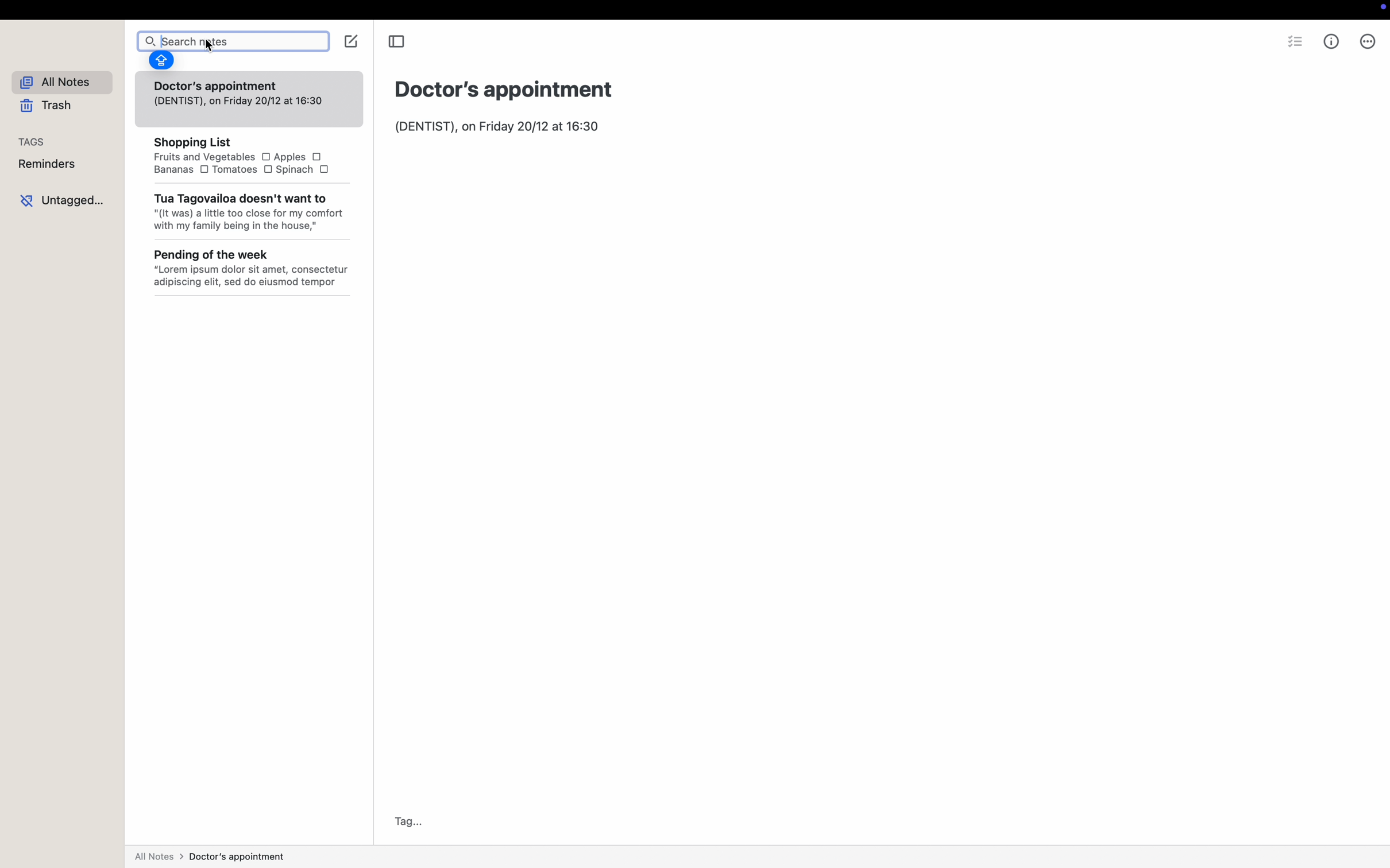 The width and height of the screenshot is (1390, 868). Describe the element at coordinates (1368, 41) in the screenshot. I see `more options` at that location.